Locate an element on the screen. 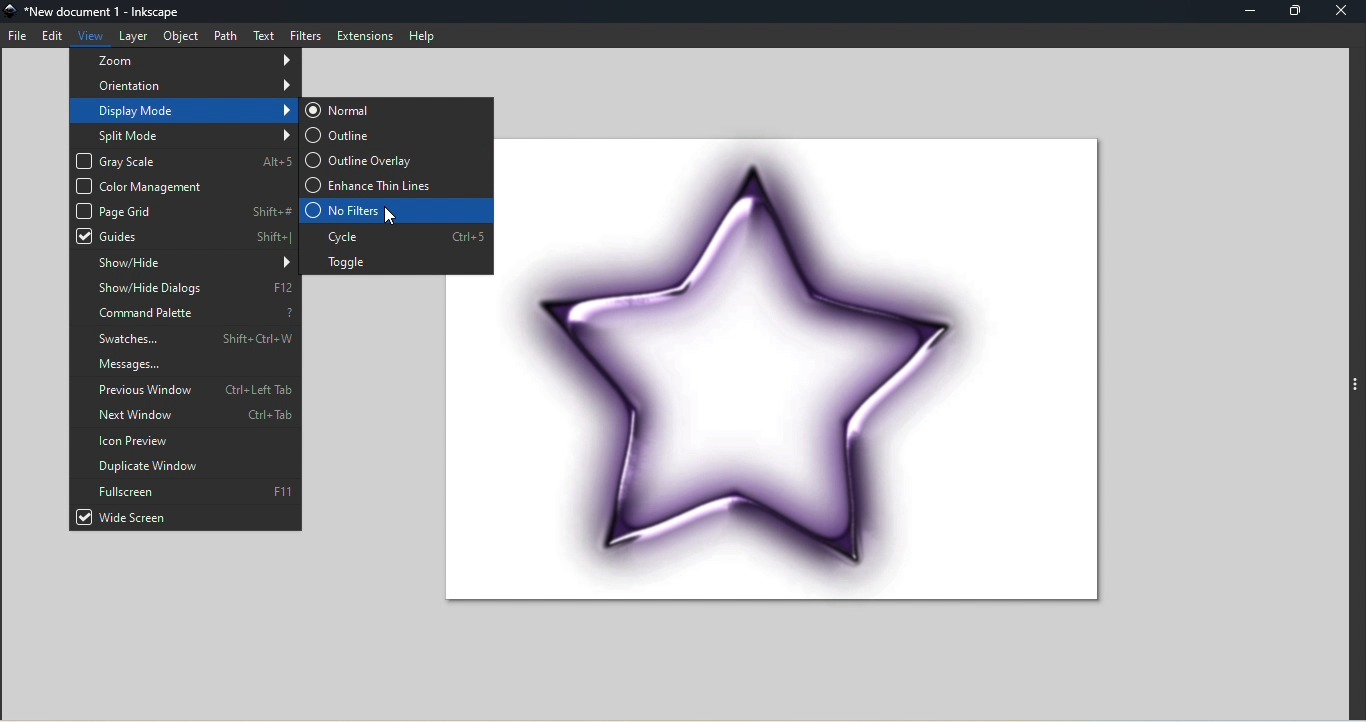 This screenshot has width=1366, height=722. Orientation is located at coordinates (183, 87).